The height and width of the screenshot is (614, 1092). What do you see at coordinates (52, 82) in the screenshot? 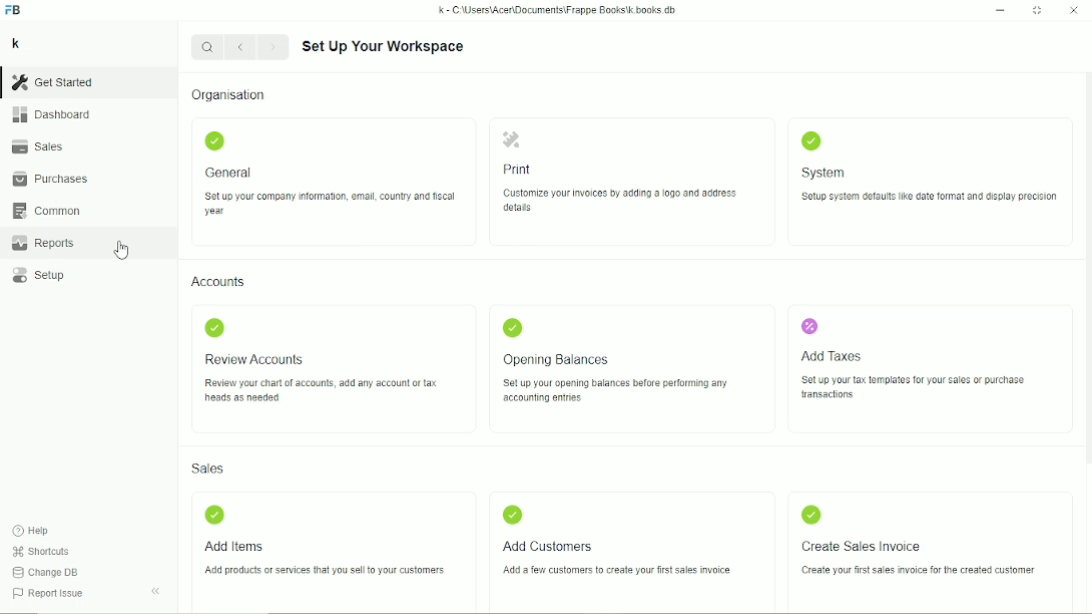
I see `Get started` at bounding box center [52, 82].